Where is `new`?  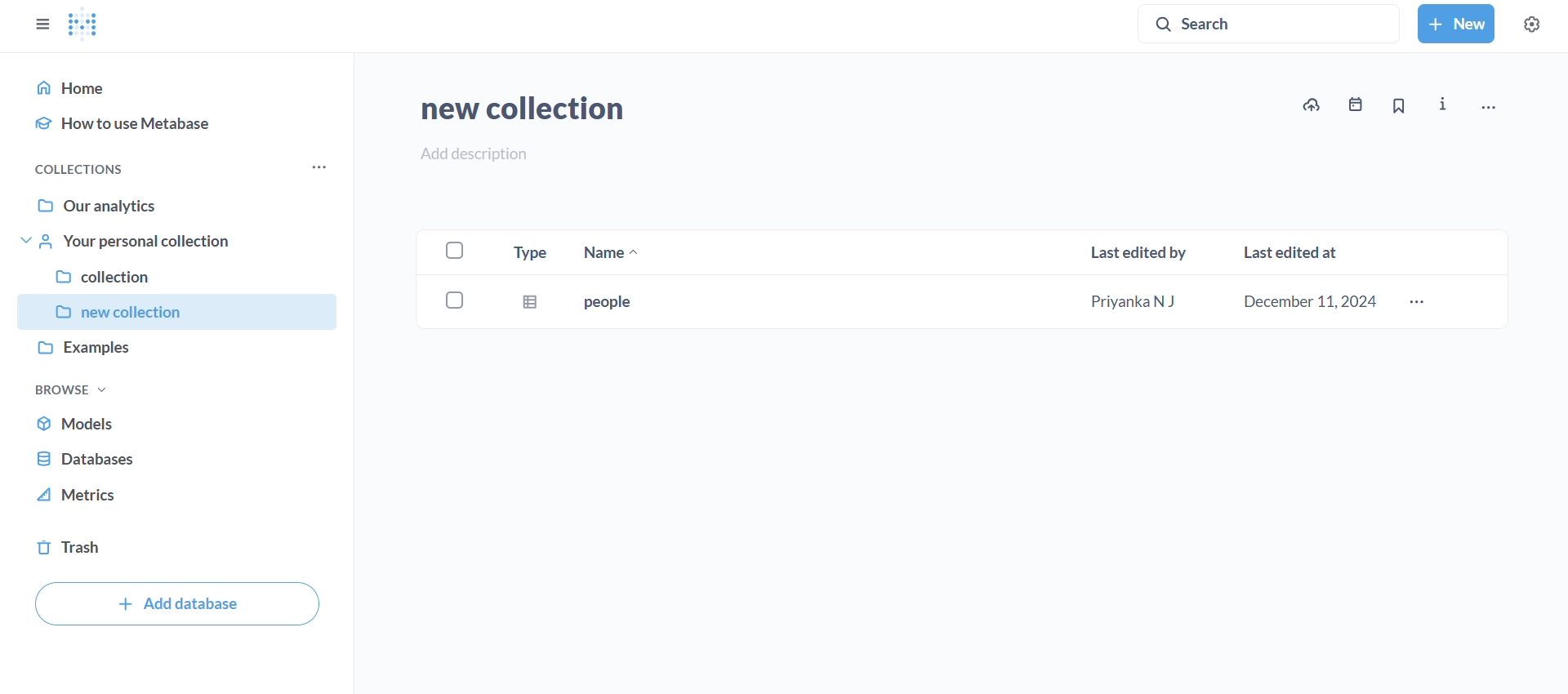
new is located at coordinates (1455, 24).